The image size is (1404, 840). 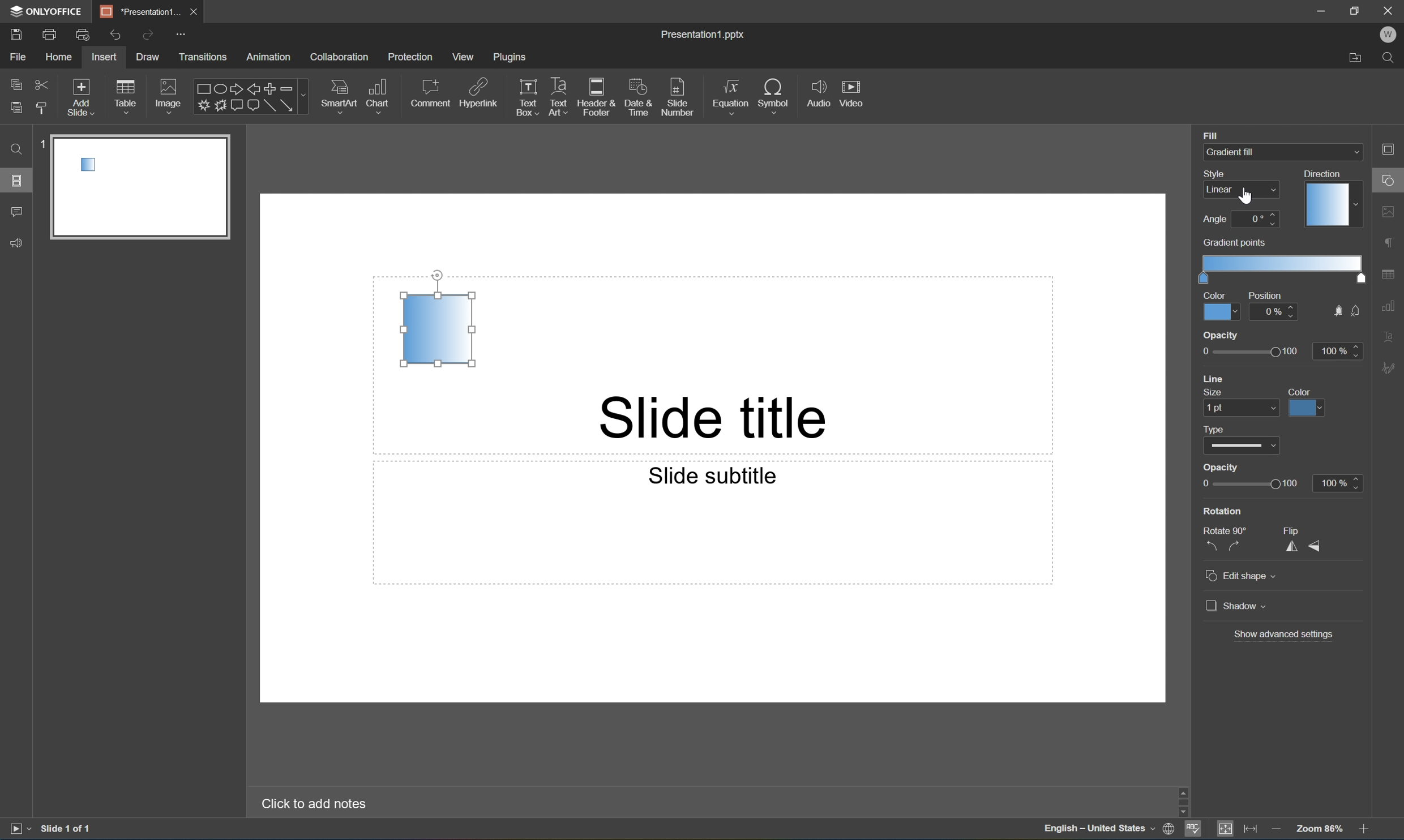 What do you see at coordinates (1361, 798) in the screenshot?
I see `Scroll Bar` at bounding box center [1361, 798].